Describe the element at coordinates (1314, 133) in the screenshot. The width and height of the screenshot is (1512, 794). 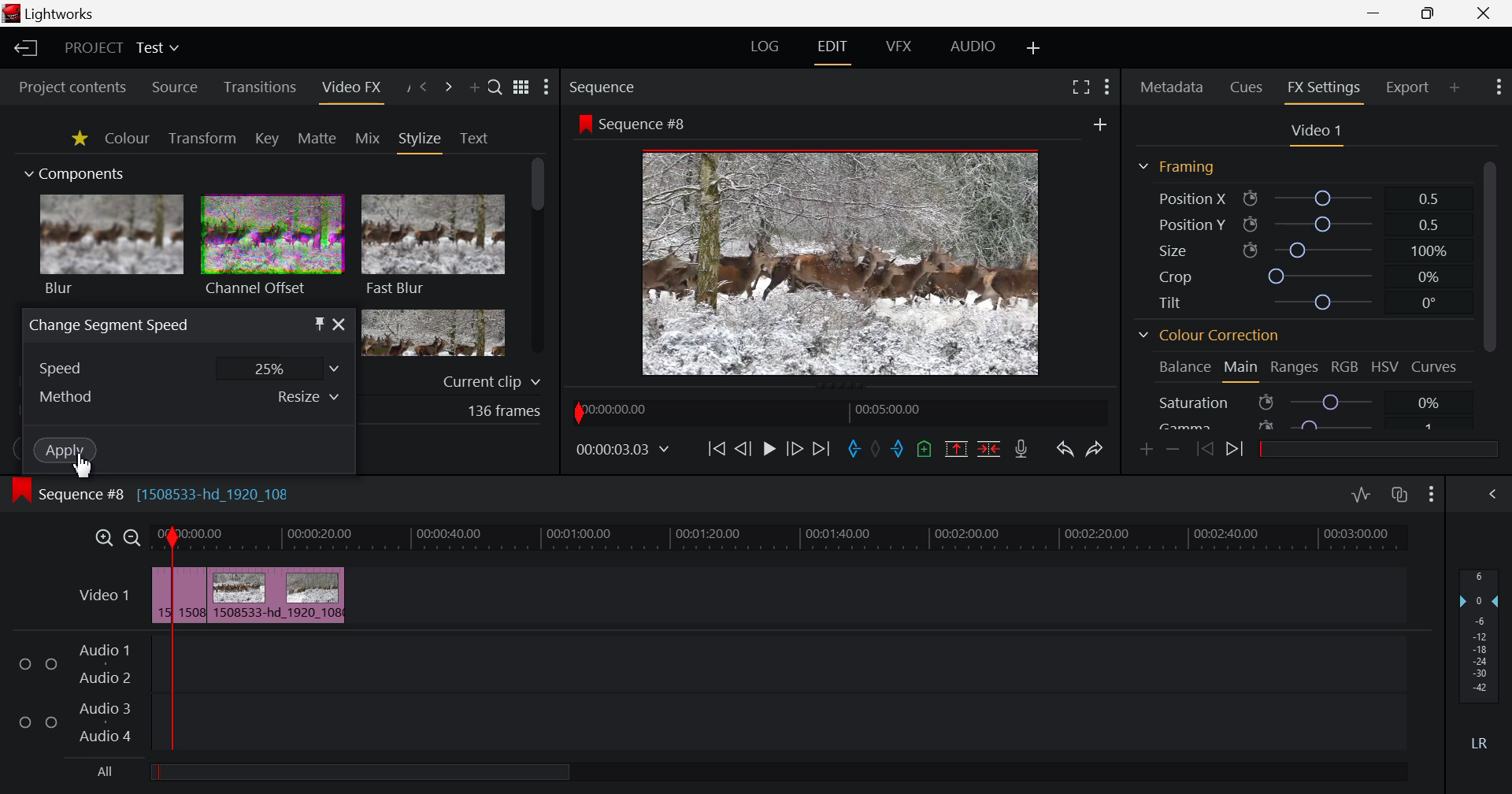
I see `Video Settings` at that location.